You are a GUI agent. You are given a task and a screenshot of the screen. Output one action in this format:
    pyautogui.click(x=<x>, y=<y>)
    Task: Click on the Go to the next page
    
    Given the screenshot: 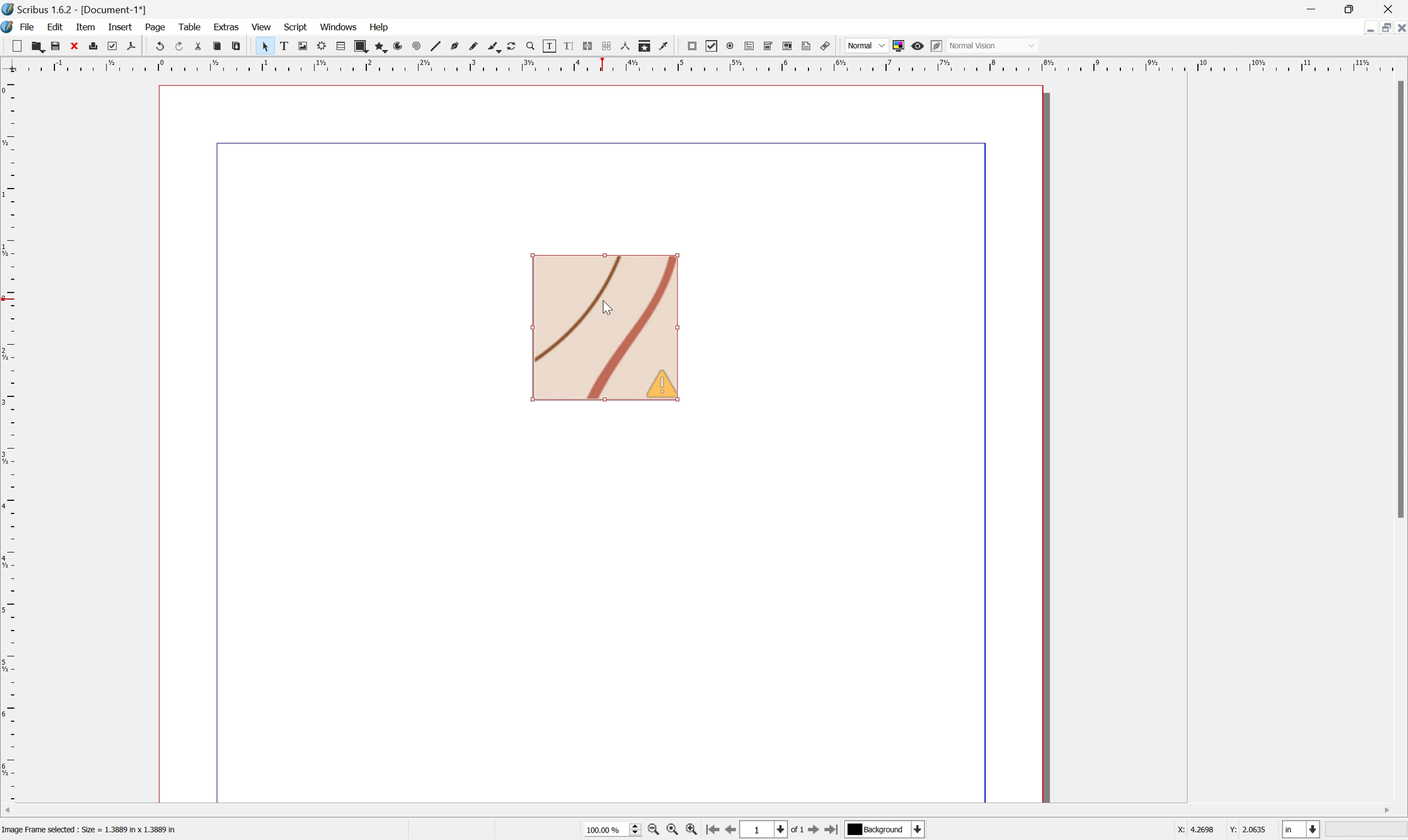 What is the action you would take?
    pyautogui.click(x=814, y=832)
    